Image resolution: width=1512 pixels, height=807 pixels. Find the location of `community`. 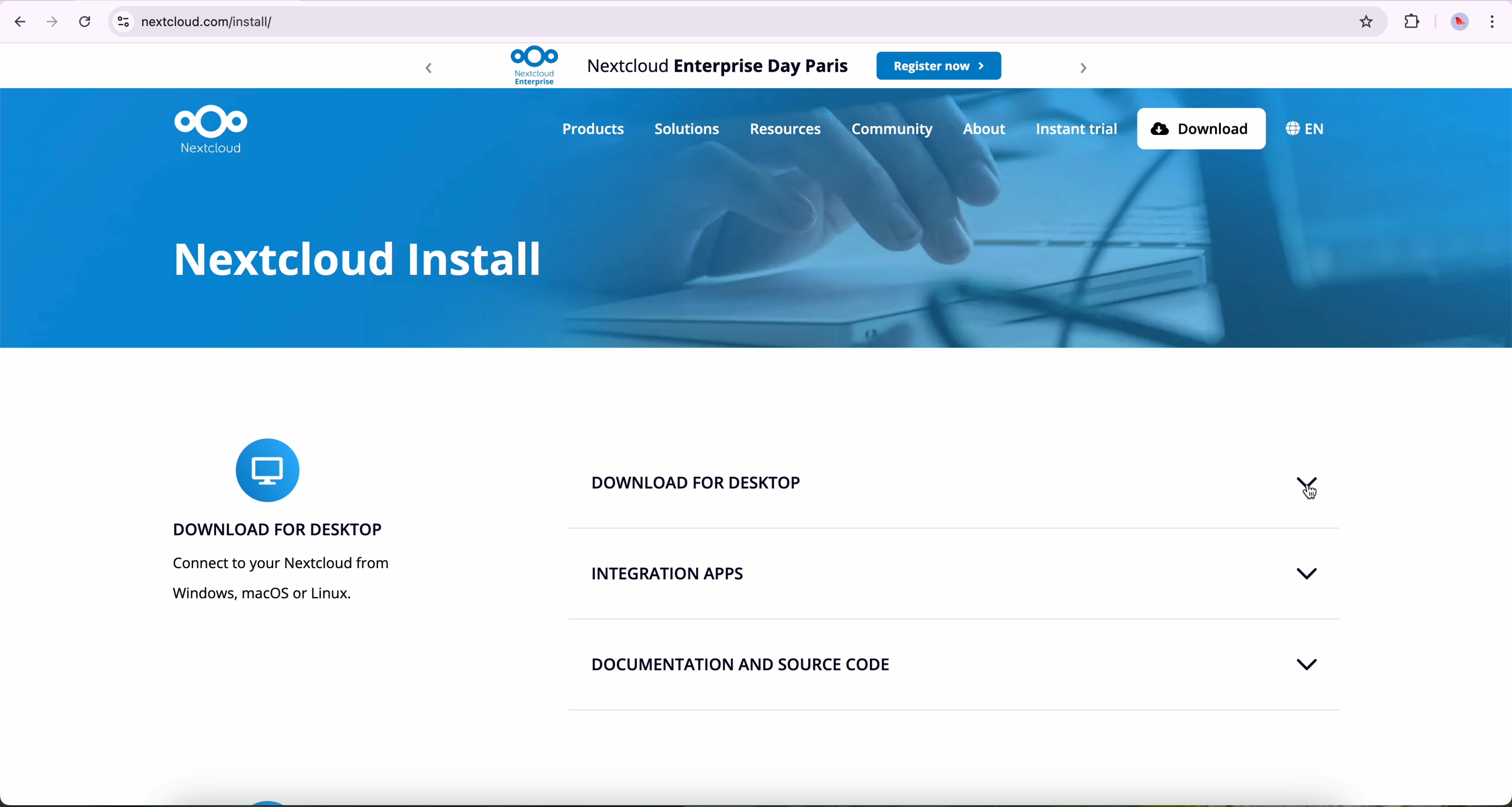

community is located at coordinates (894, 129).